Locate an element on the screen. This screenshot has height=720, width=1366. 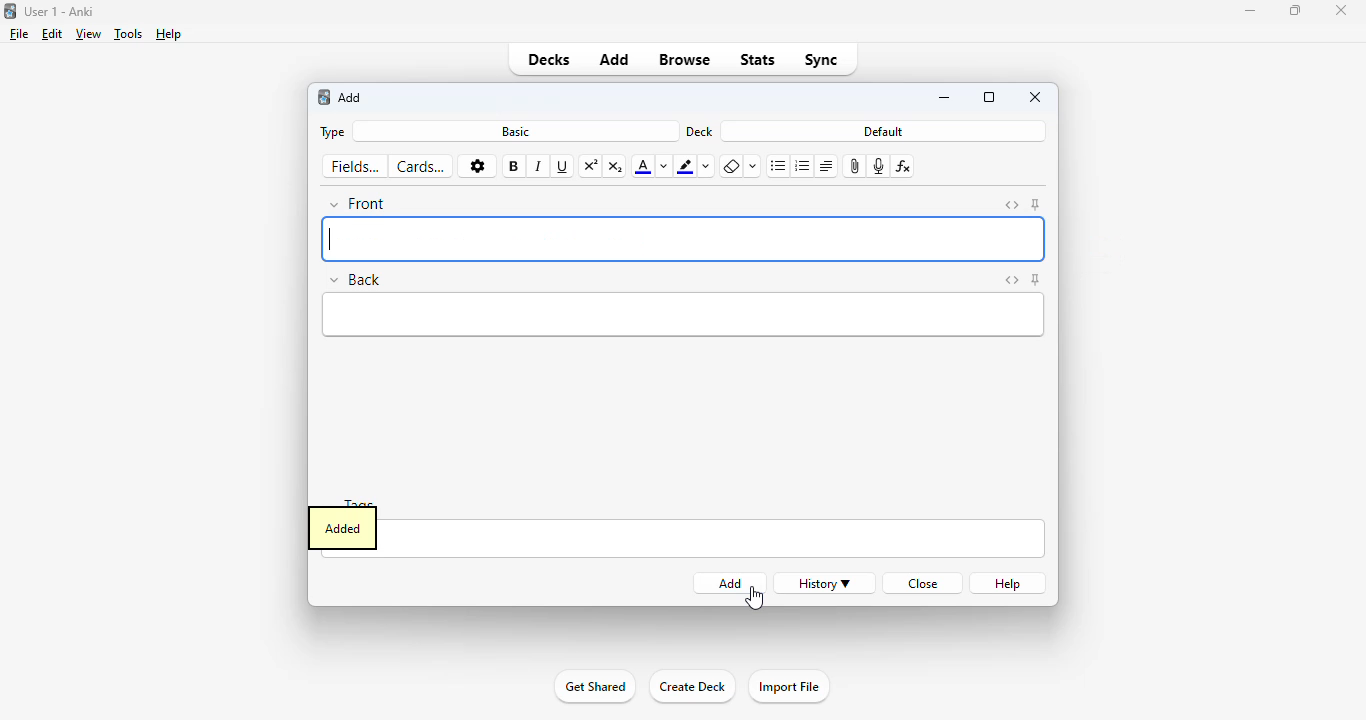
add is located at coordinates (728, 583).